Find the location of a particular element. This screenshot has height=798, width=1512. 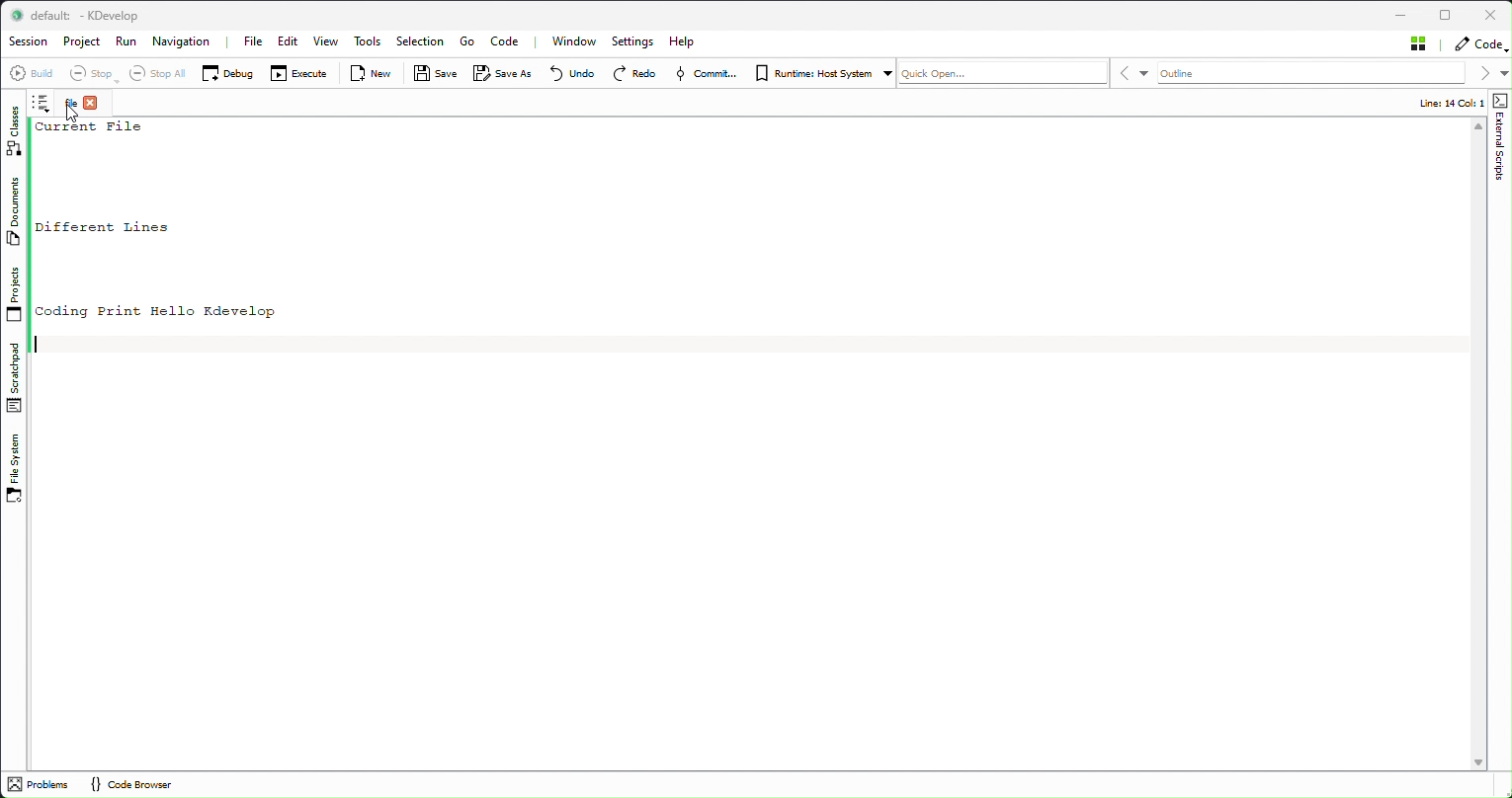

Info is located at coordinates (1419, 102).